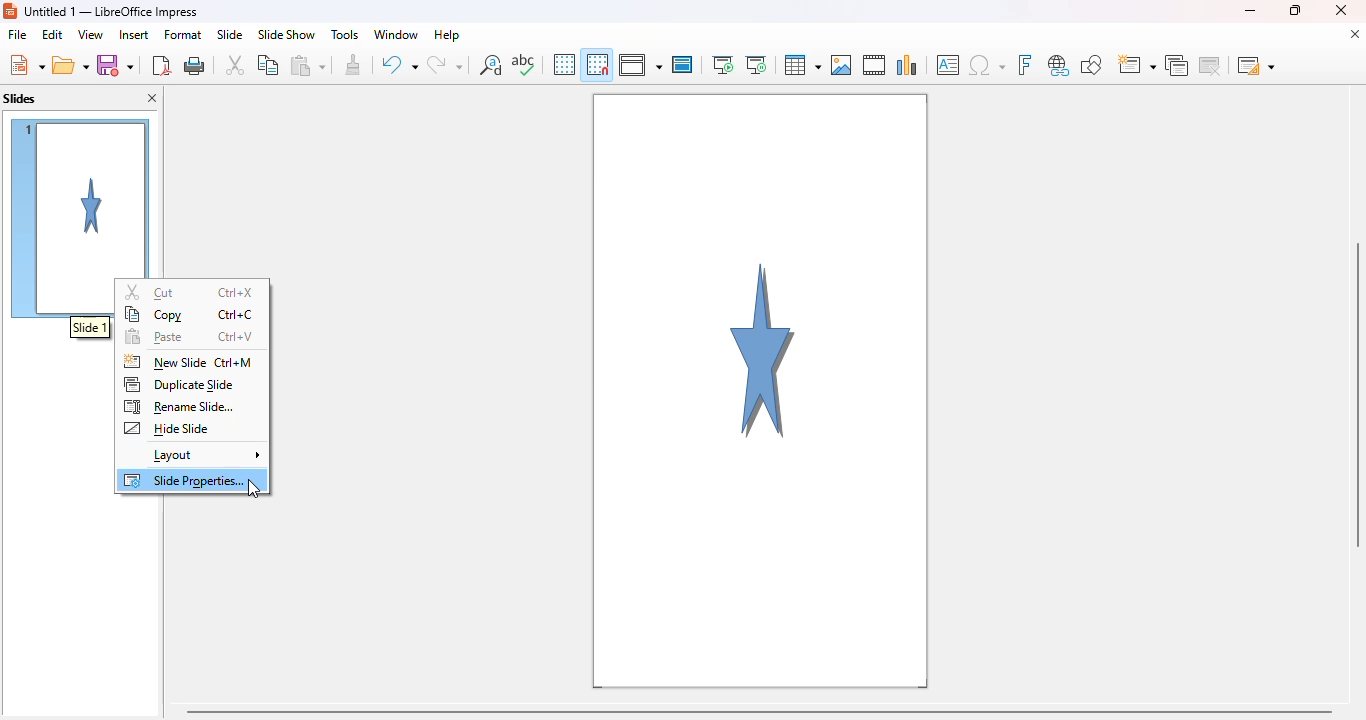  What do you see at coordinates (254, 488) in the screenshot?
I see `cursor` at bounding box center [254, 488].